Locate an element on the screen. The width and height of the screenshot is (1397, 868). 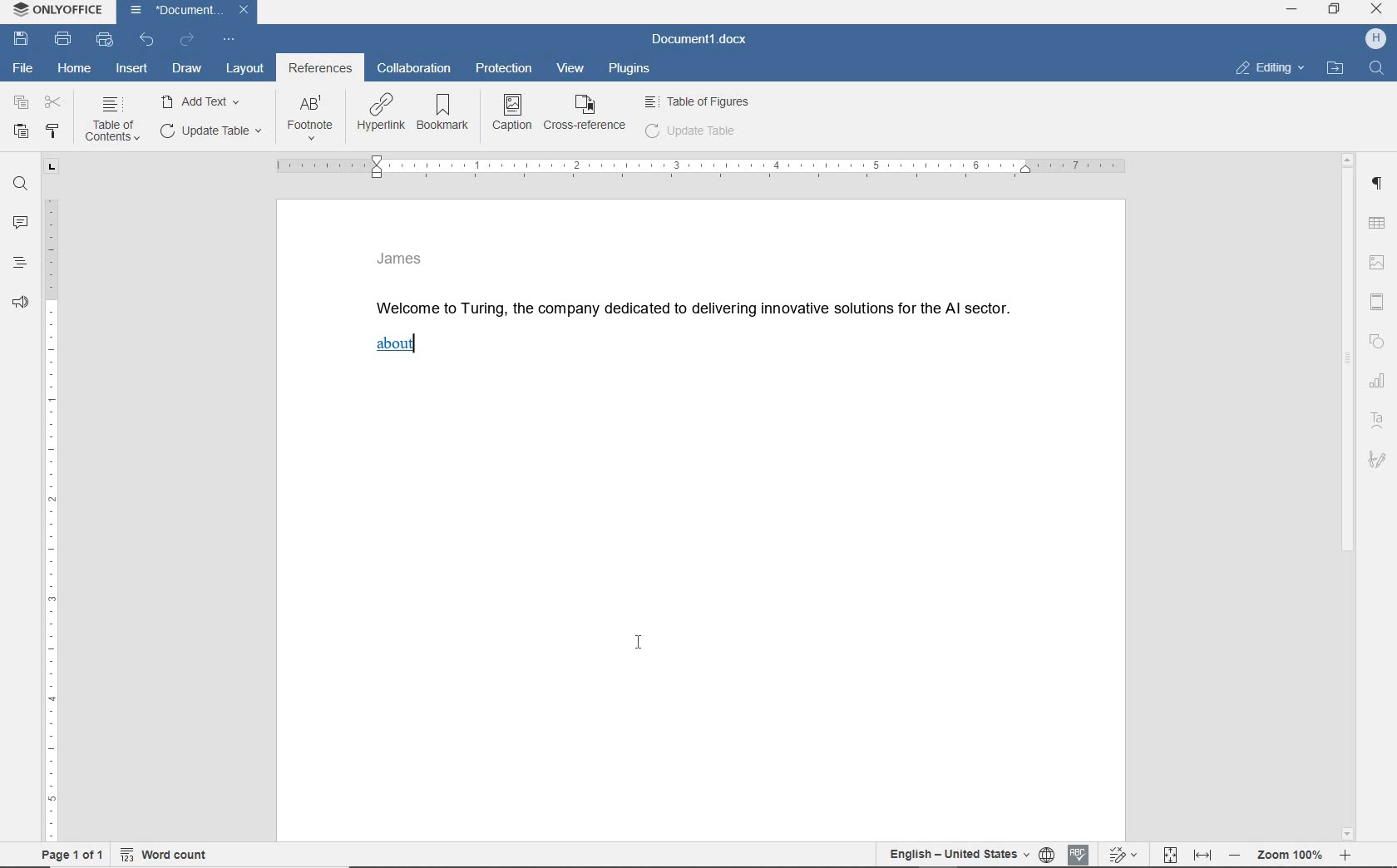
copy style is located at coordinates (55, 130).